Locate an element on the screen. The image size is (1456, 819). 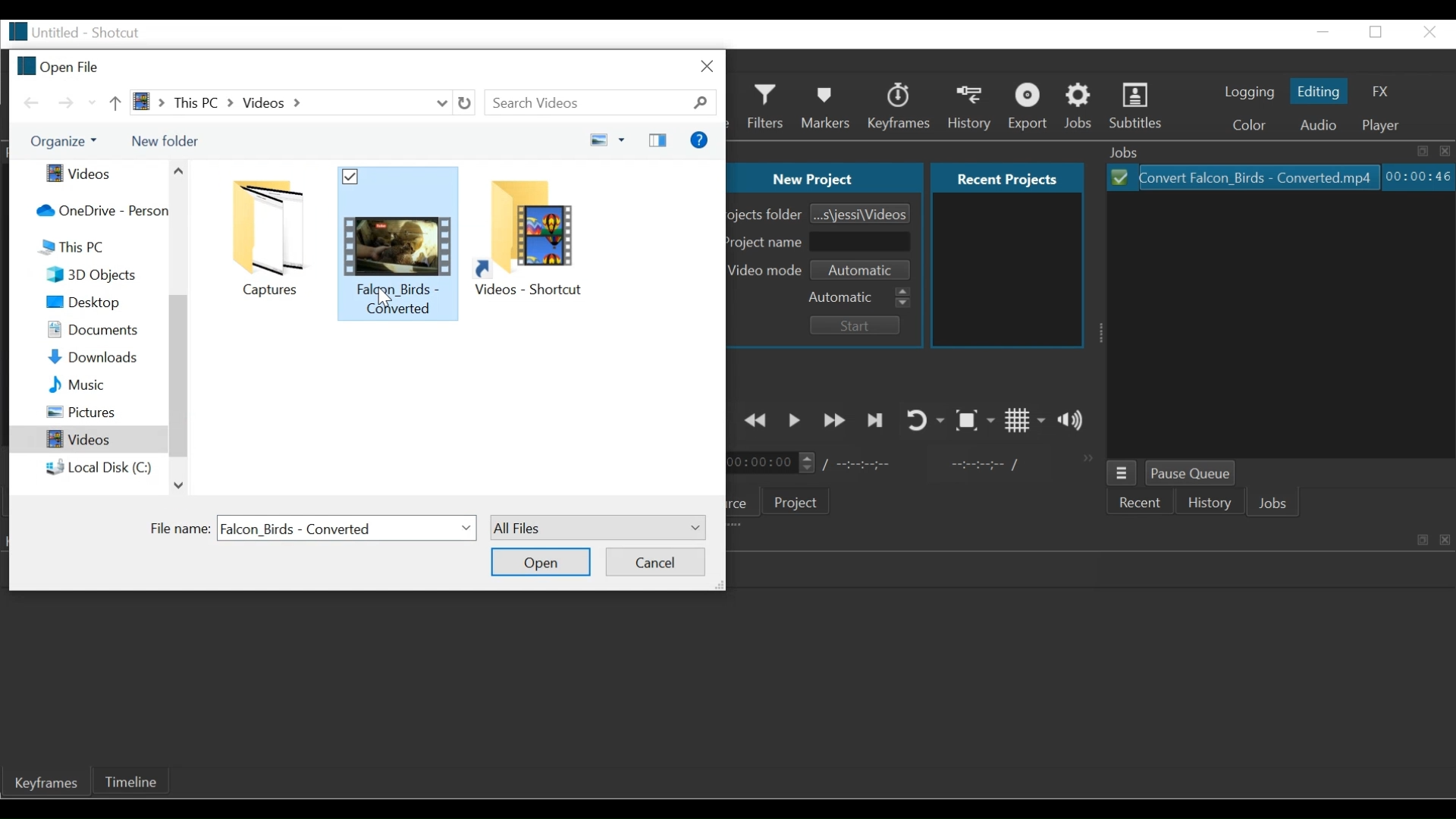
All files is located at coordinates (598, 528).